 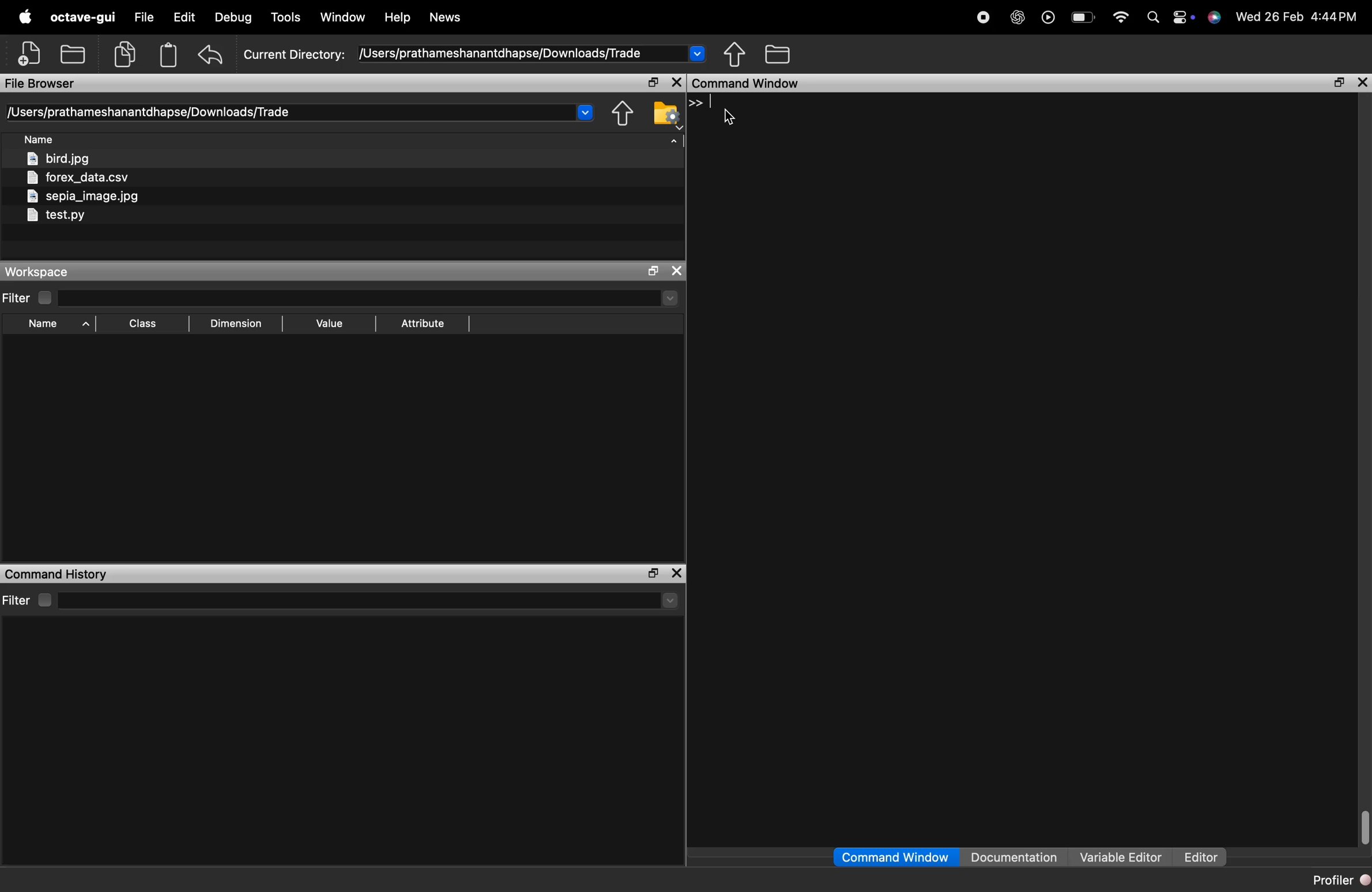 I want to click on Drop-down , so click(x=586, y=111).